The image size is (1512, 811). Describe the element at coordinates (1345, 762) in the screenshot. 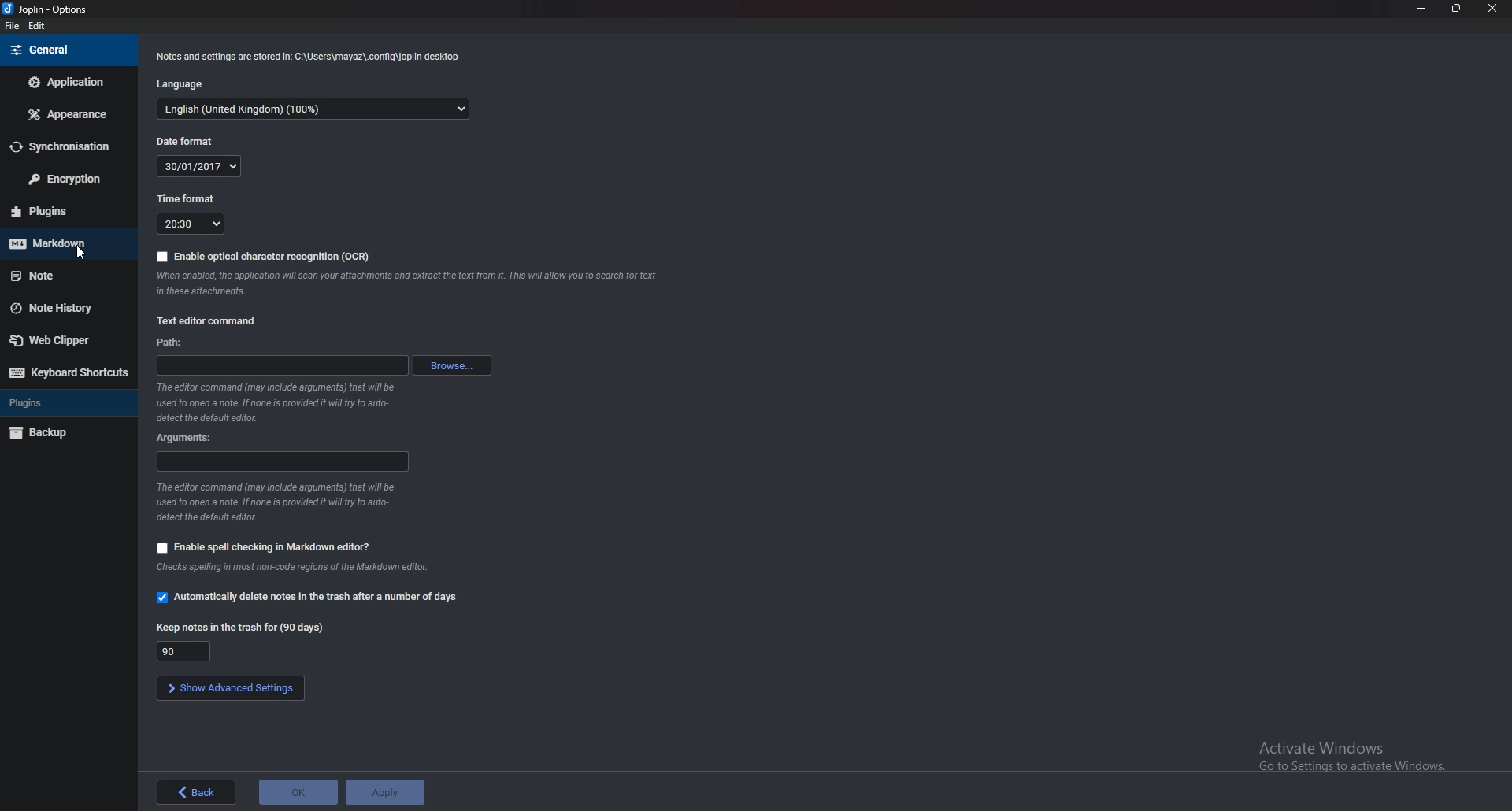

I see `activate windows pop up` at that location.